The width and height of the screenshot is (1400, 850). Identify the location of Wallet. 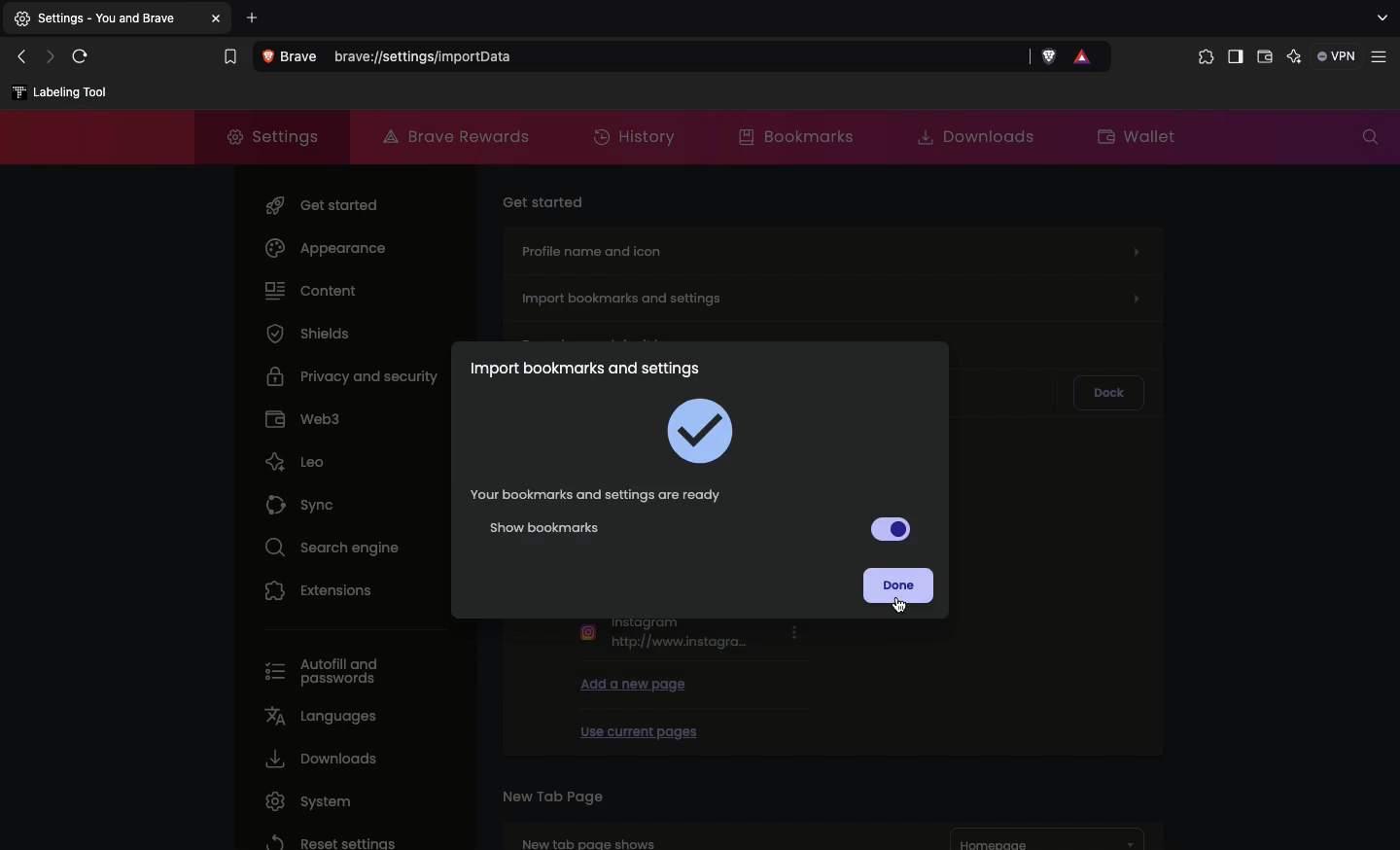
(1265, 59).